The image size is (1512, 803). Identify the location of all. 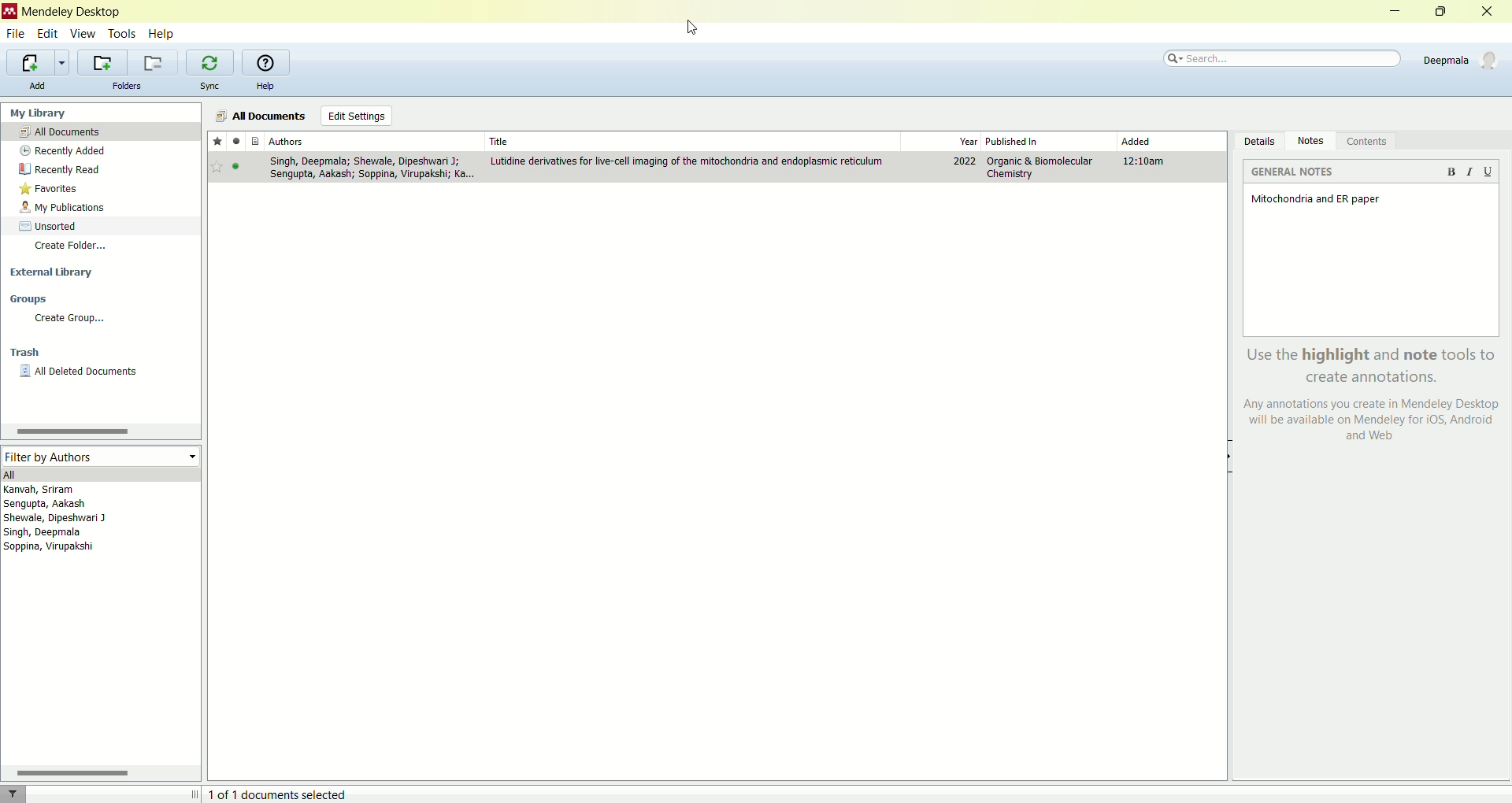
(101, 474).